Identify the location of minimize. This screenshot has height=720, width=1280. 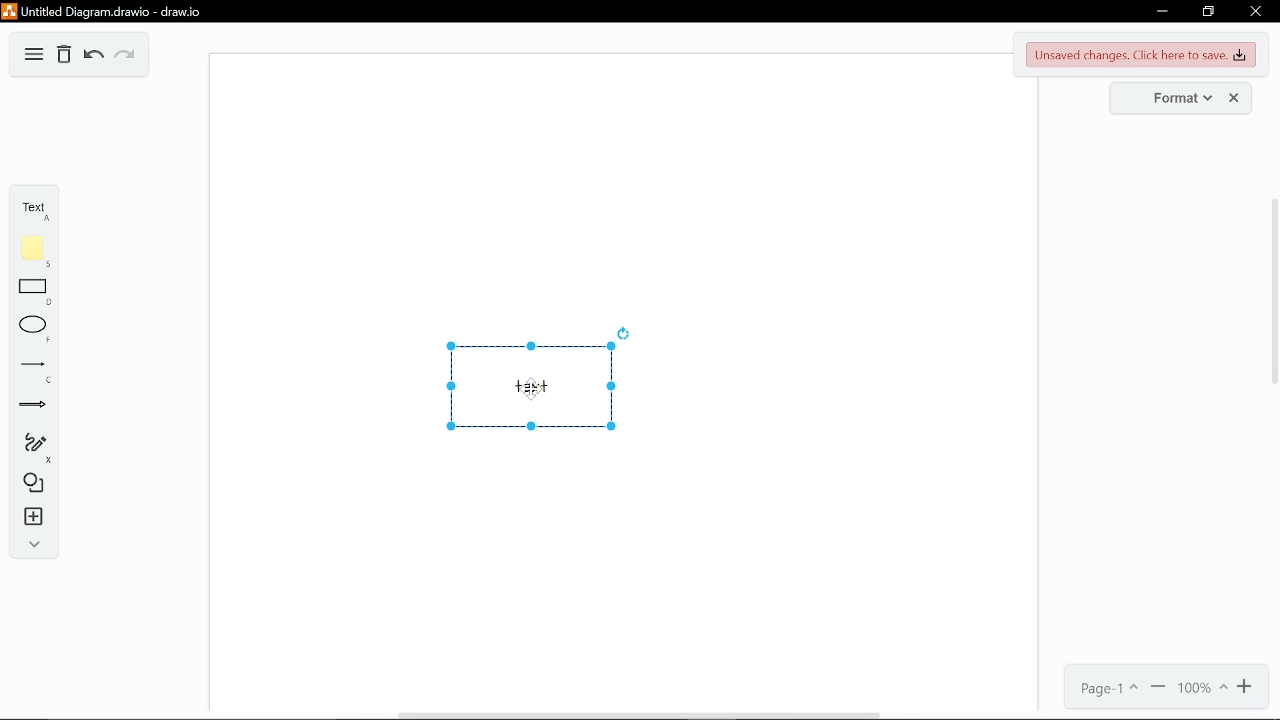
(1159, 12).